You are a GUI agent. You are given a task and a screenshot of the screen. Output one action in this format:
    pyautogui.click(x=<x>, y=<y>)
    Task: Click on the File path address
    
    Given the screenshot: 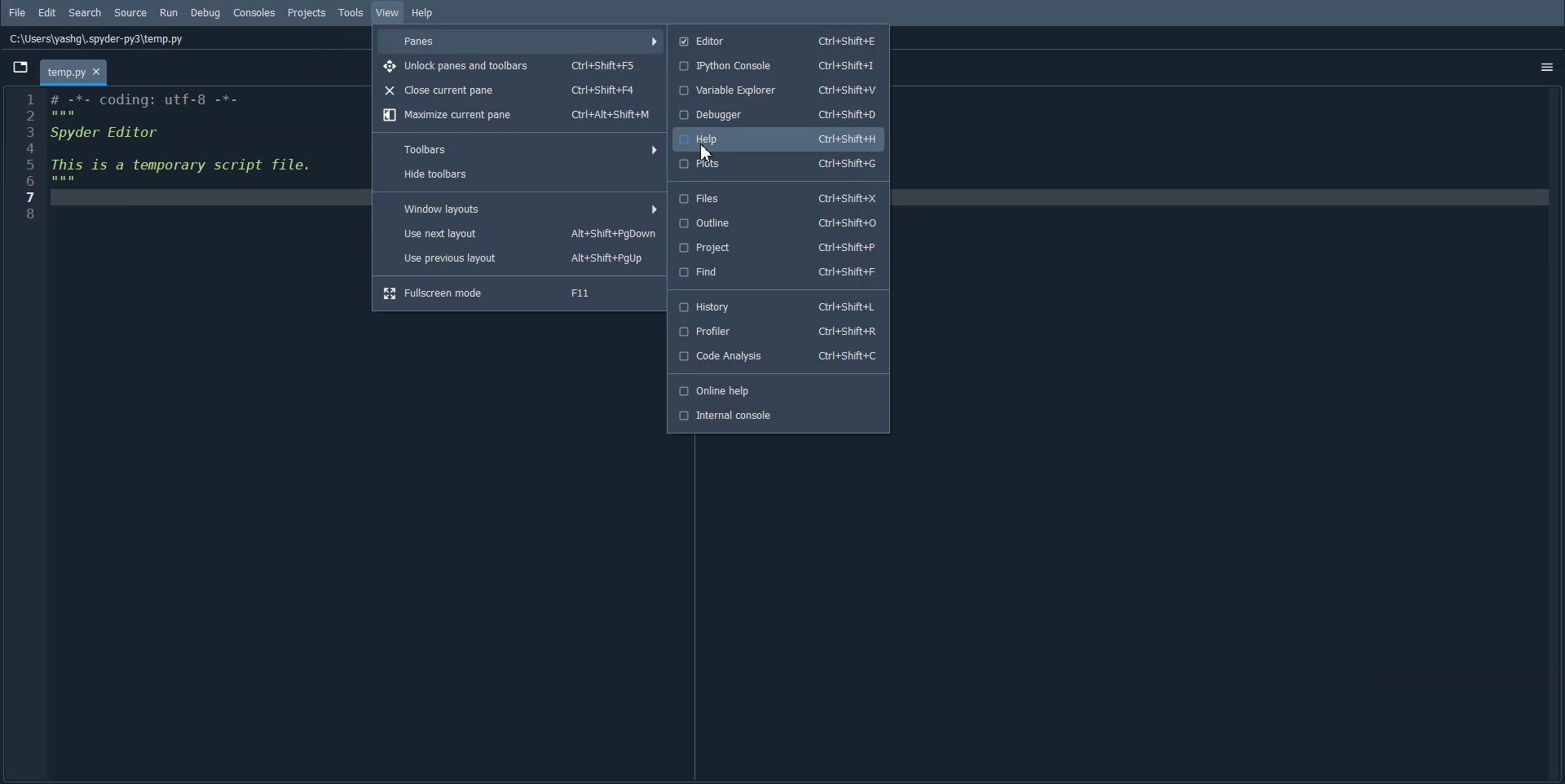 What is the action you would take?
    pyautogui.click(x=97, y=39)
    